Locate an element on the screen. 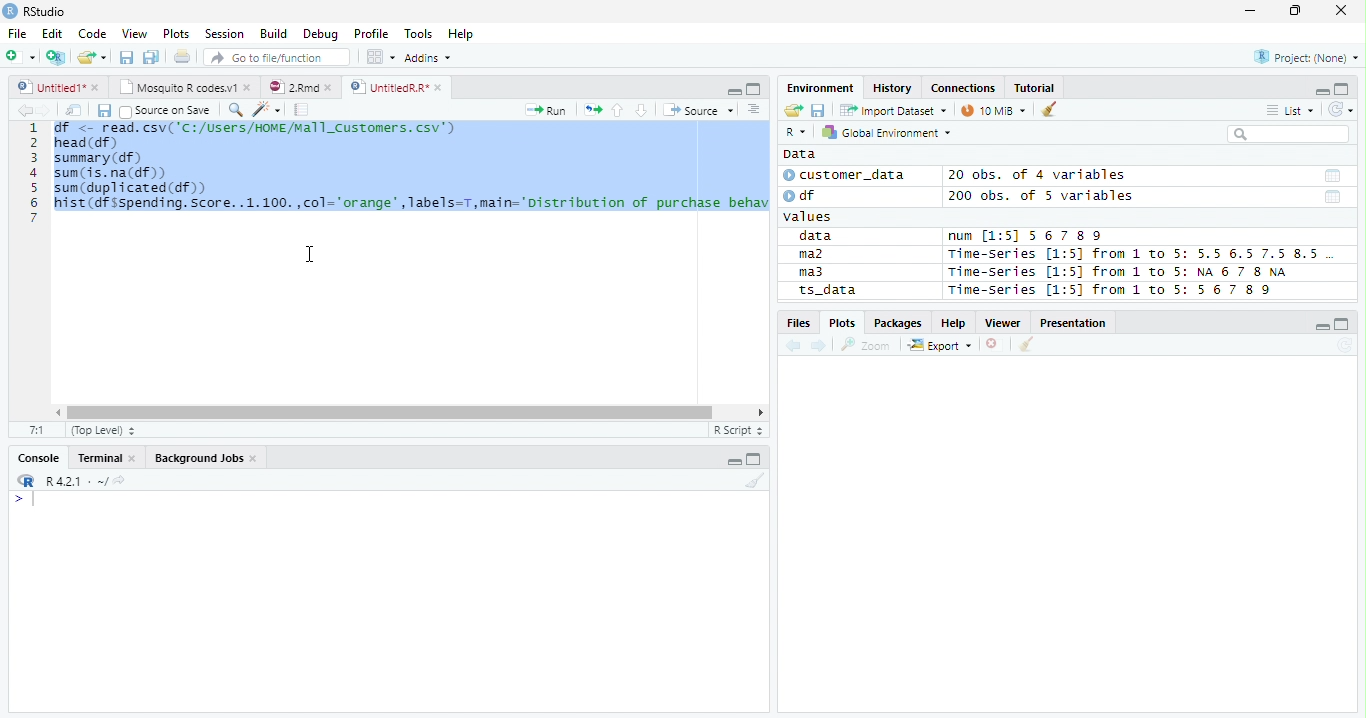 The height and width of the screenshot is (718, 1366). Typing indicator is located at coordinates (33, 500).